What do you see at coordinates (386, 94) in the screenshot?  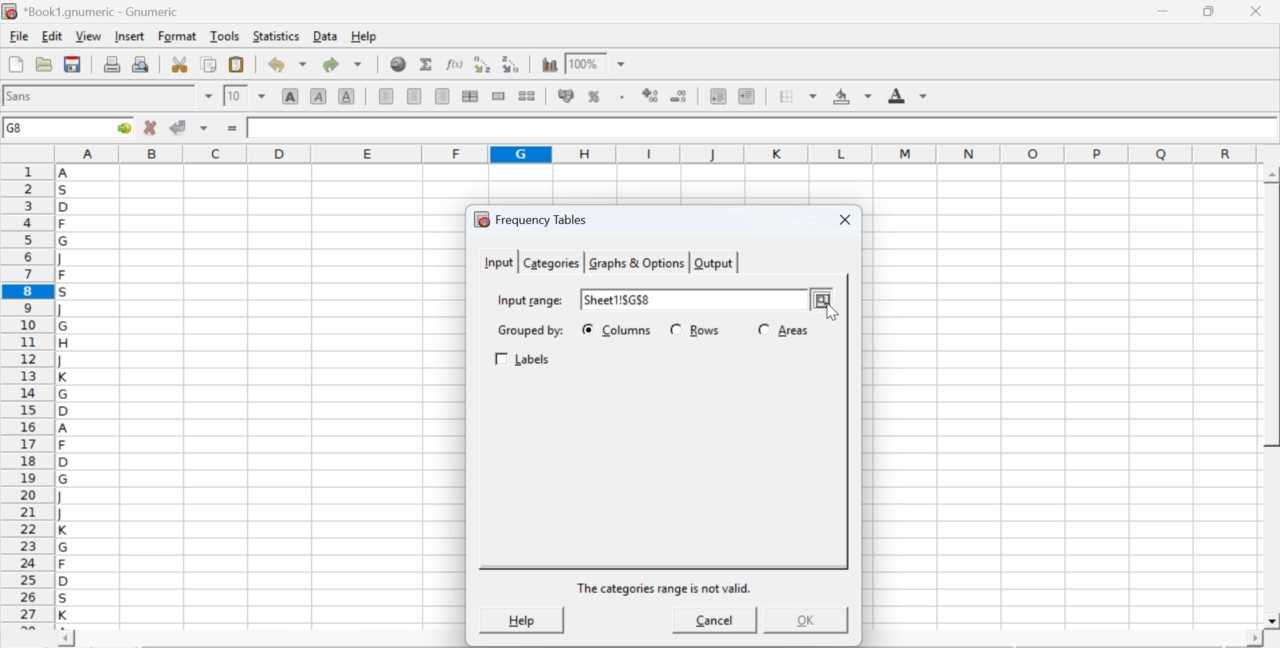 I see `align left` at bounding box center [386, 94].